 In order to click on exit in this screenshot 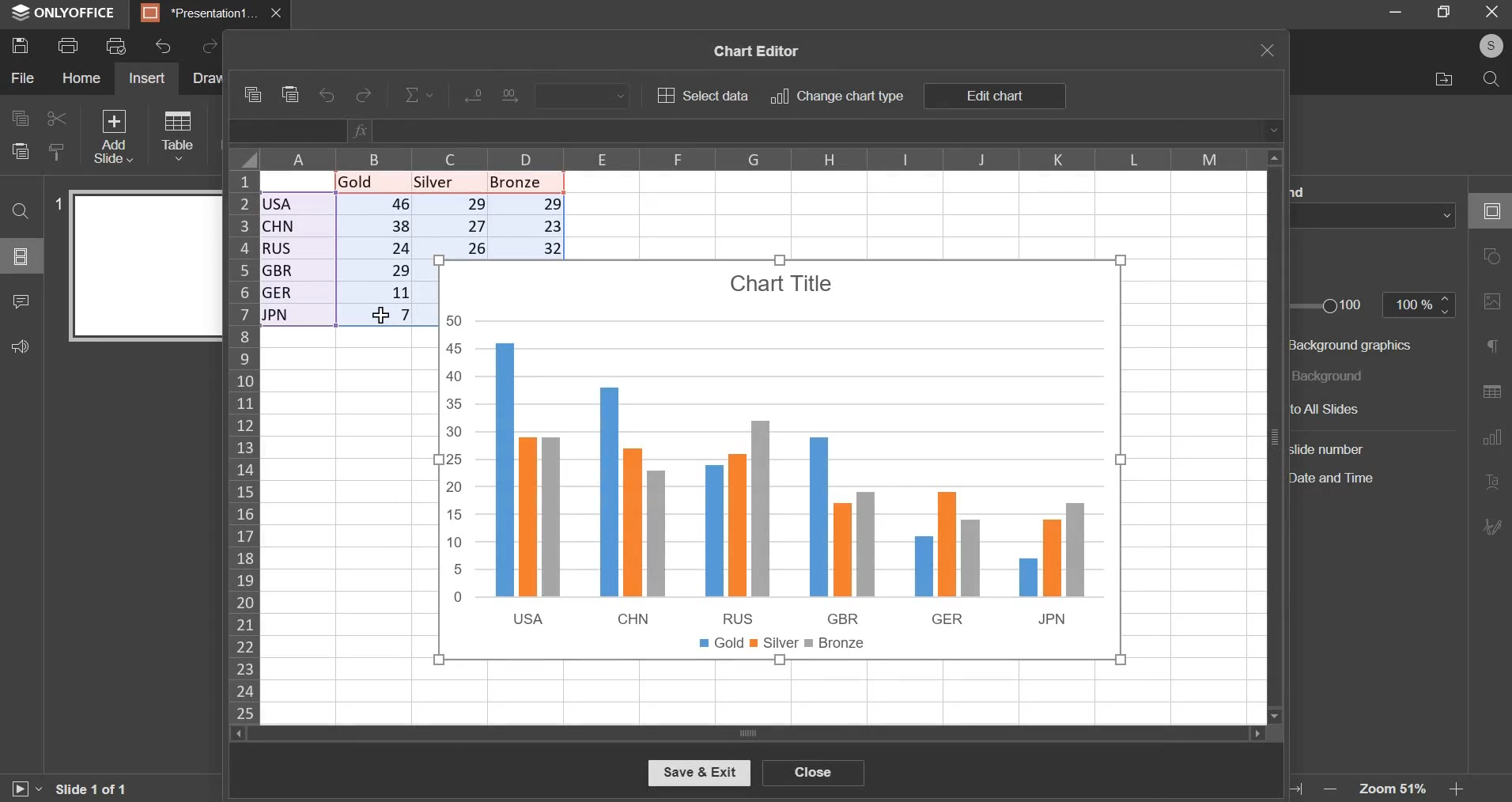, I will do `click(1491, 11)`.